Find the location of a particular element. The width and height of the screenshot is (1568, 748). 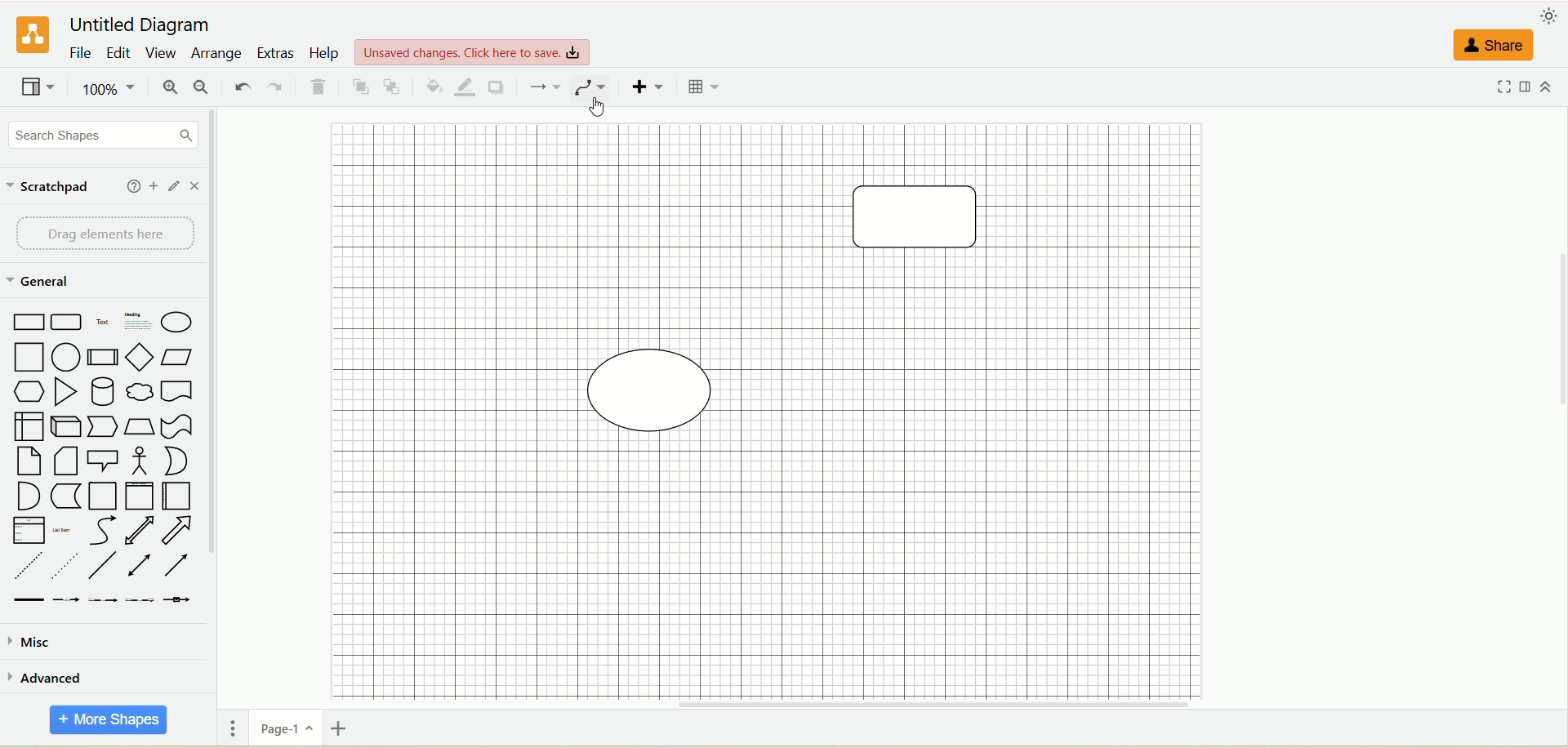

add is located at coordinates (153, 185).